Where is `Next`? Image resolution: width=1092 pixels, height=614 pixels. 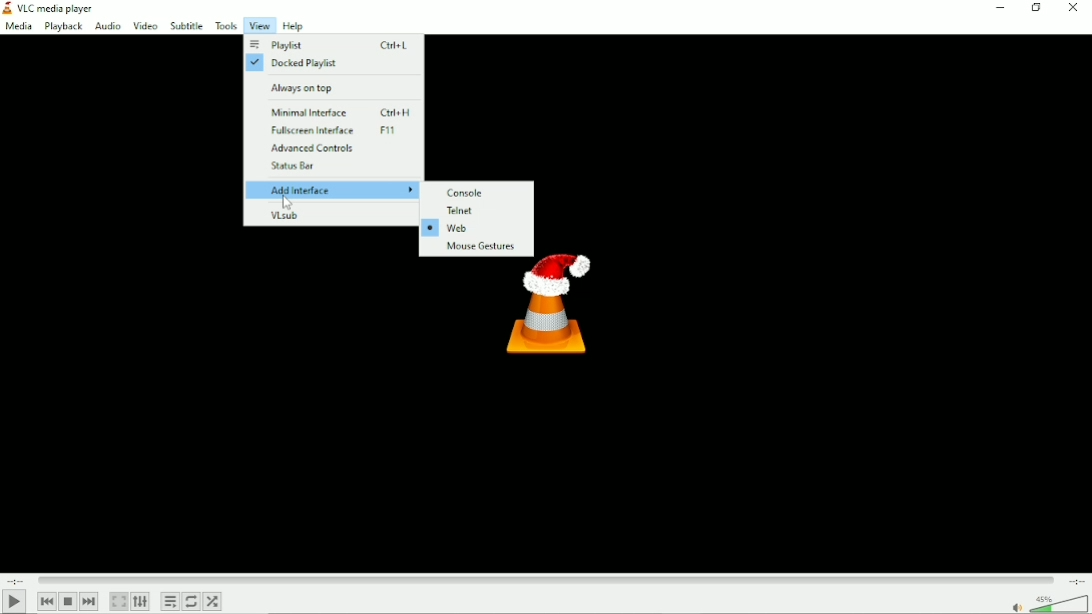 Next is located at coordinates (89, 602).